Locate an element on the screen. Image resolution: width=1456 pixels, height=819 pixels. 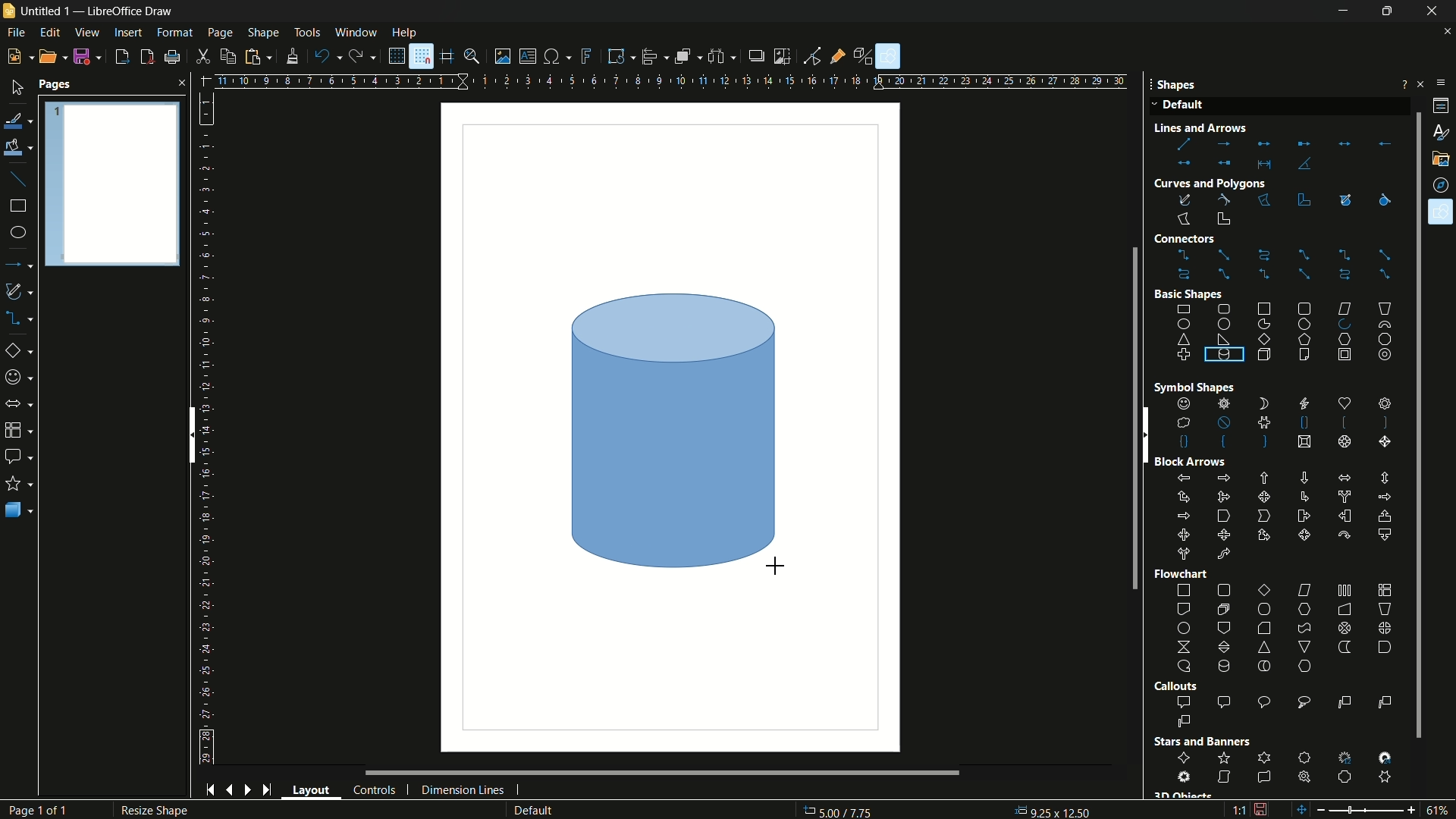
Stars is located at coordinates (1207, 742).